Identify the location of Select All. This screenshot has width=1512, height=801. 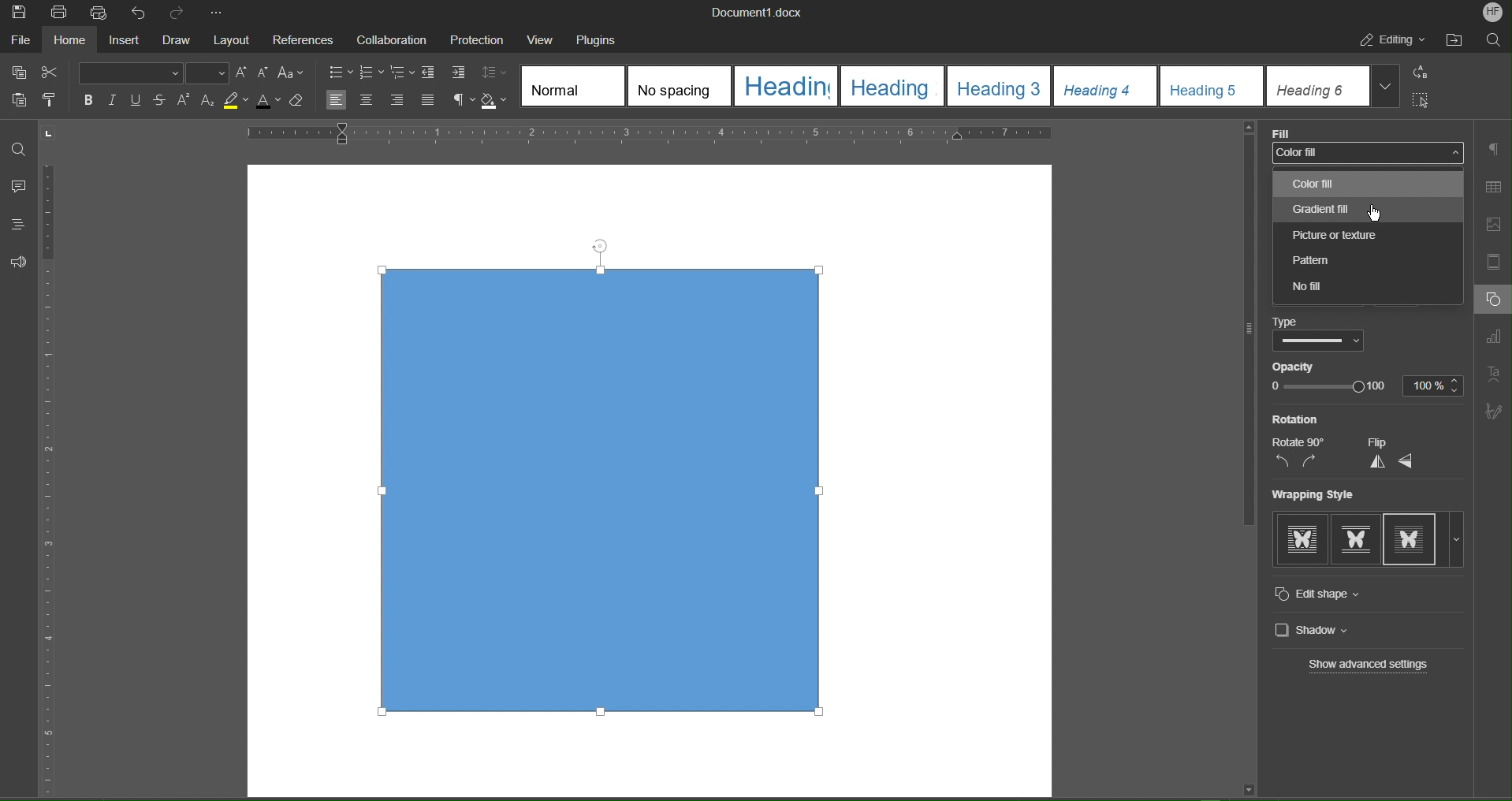
(1423, 99).